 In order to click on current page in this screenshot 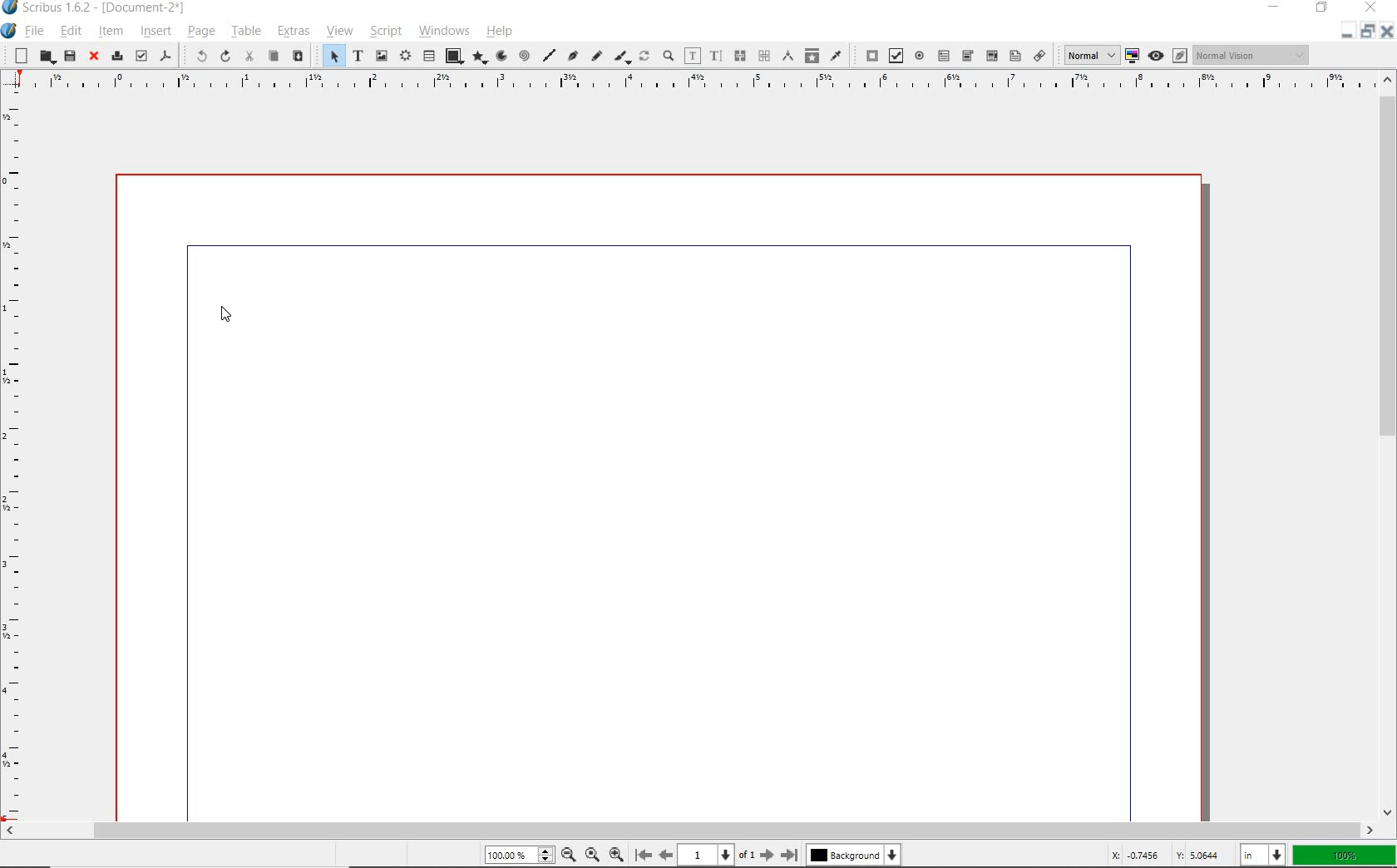, I will do `click(717, 855)`.